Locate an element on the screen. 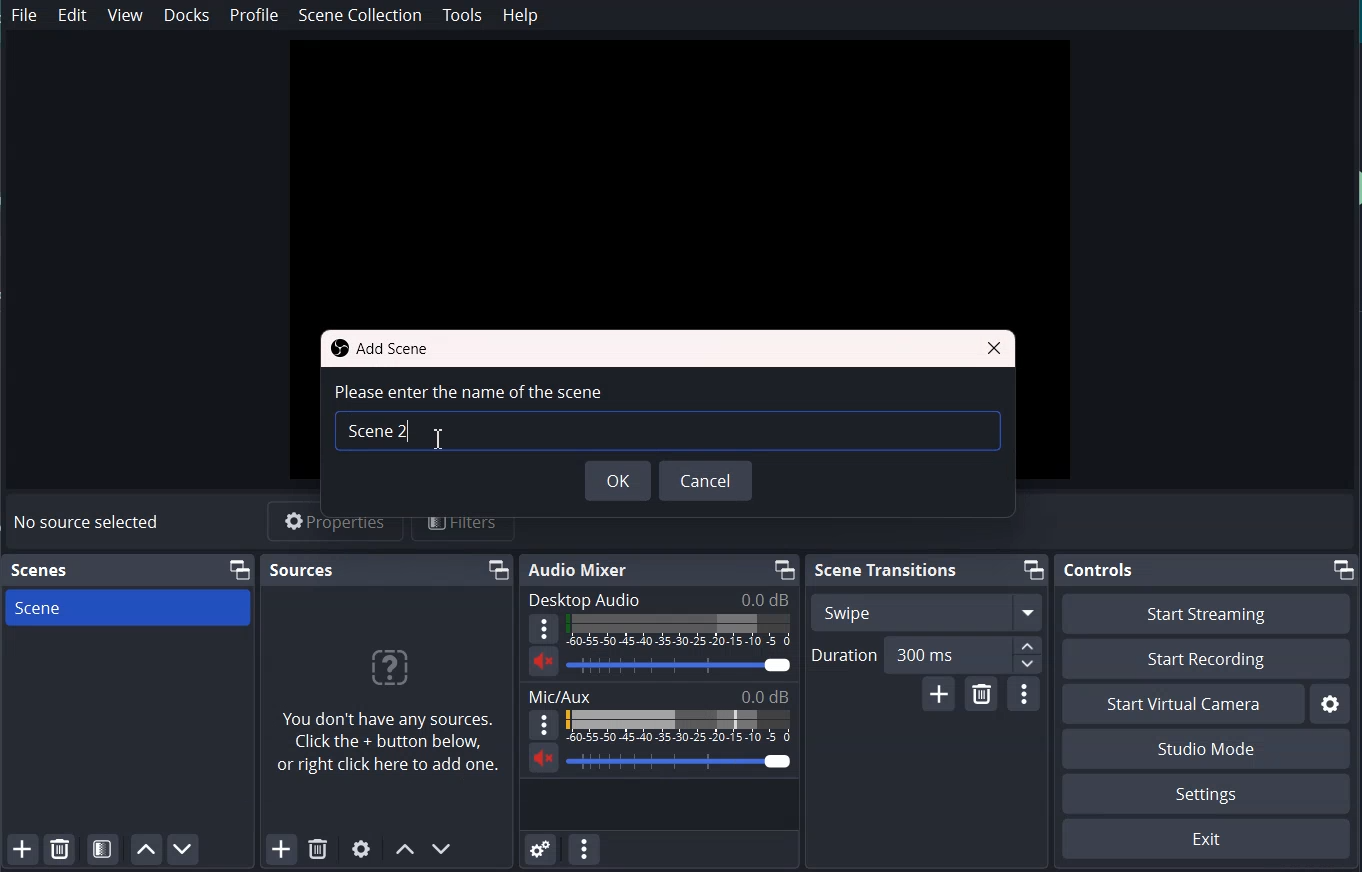  Controls is located at coordinates (1101, 570).